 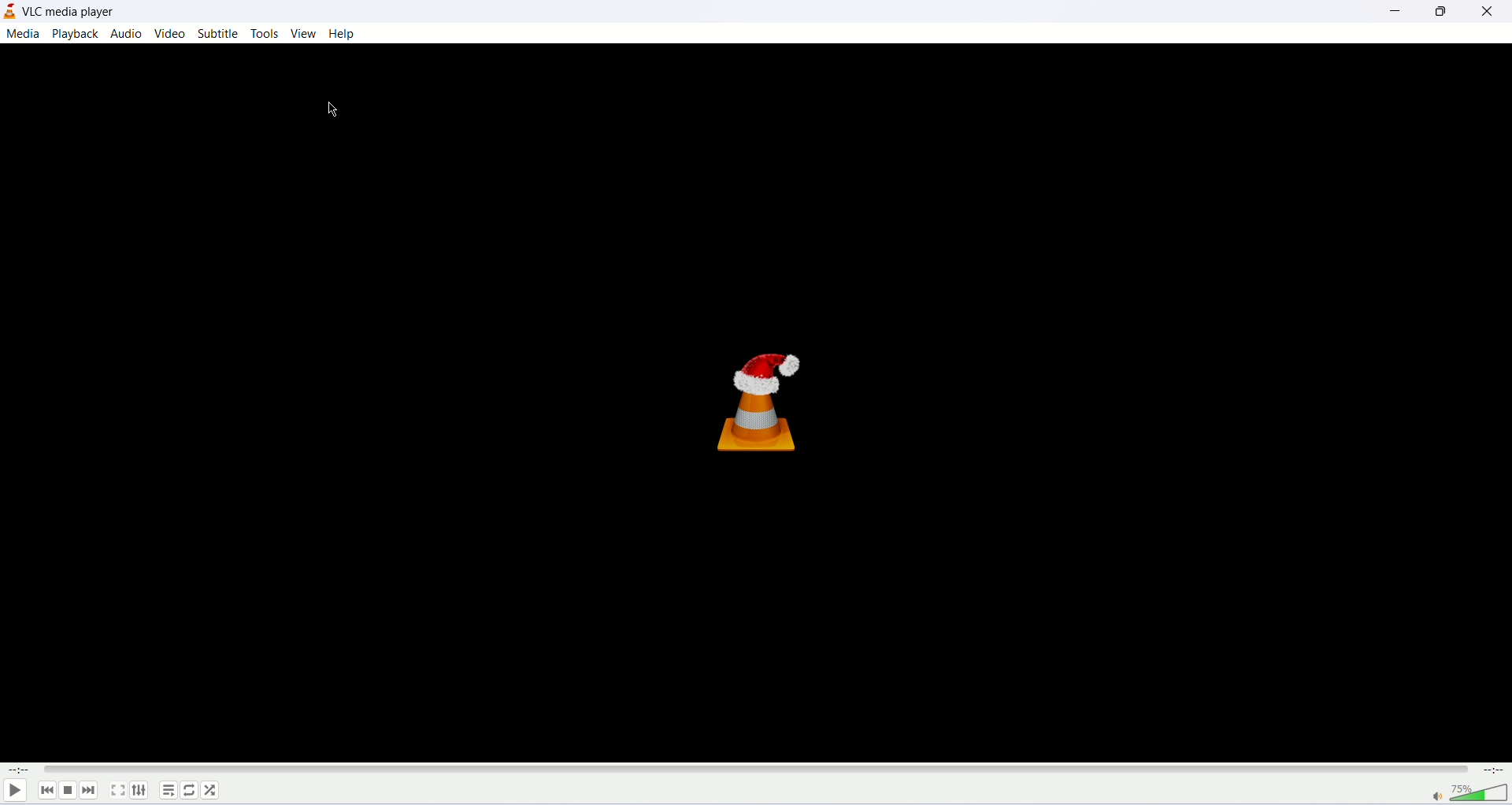 I want to click on play/pause, so click(x=13, y=790).